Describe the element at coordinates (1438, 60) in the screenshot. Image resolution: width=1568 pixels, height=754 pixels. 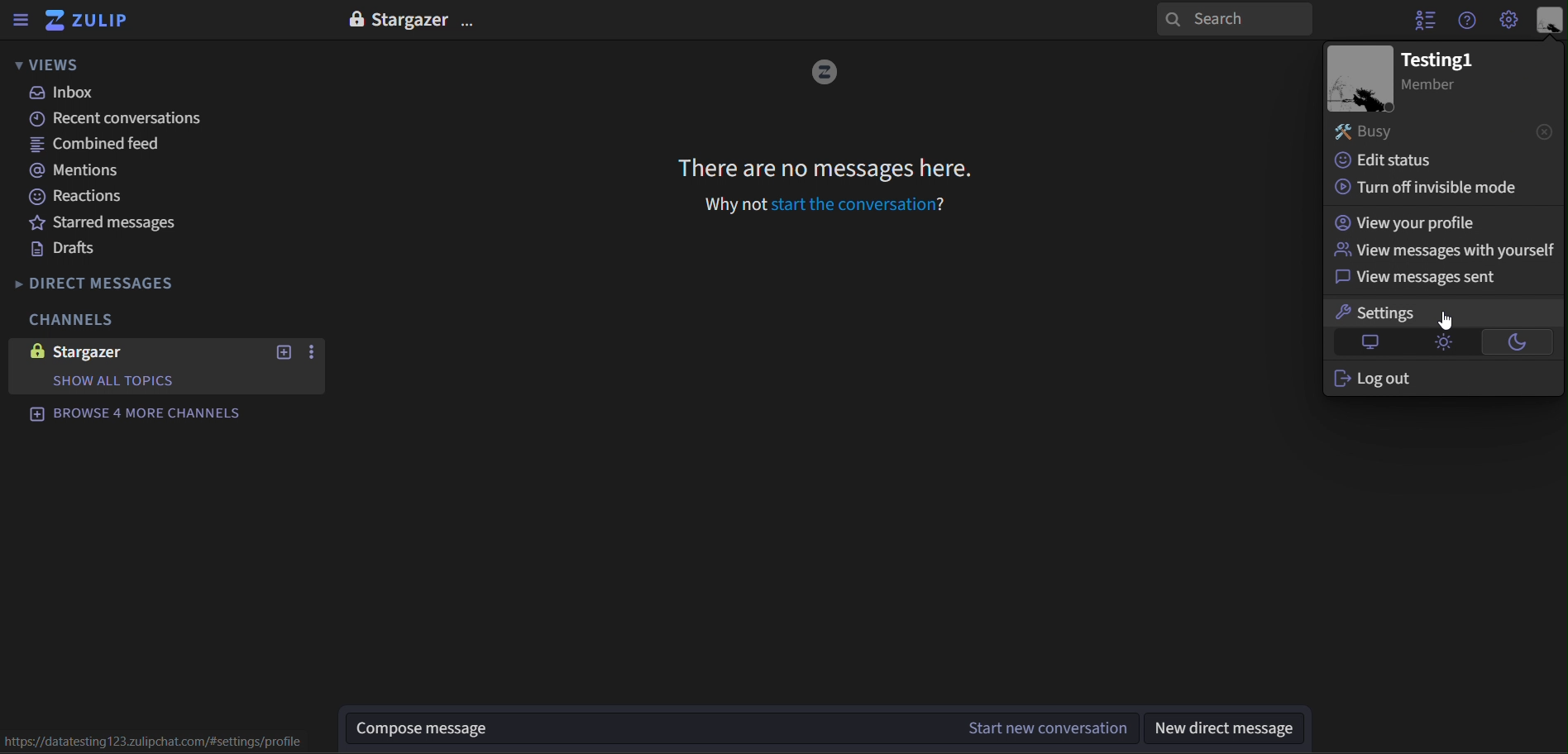
I see `testing1` at that location.